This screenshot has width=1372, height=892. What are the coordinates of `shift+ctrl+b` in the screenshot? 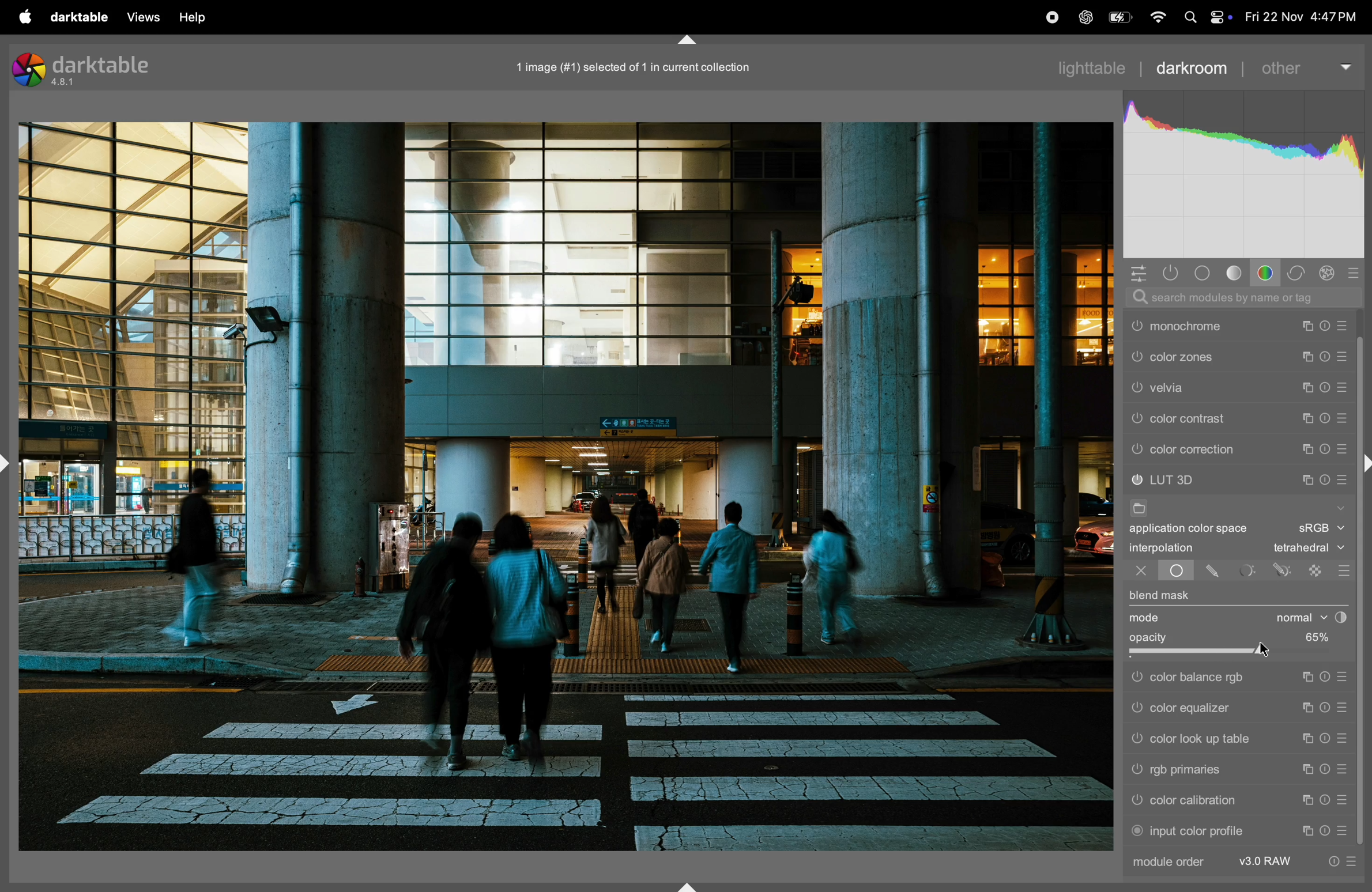 It's located at (685, 885).